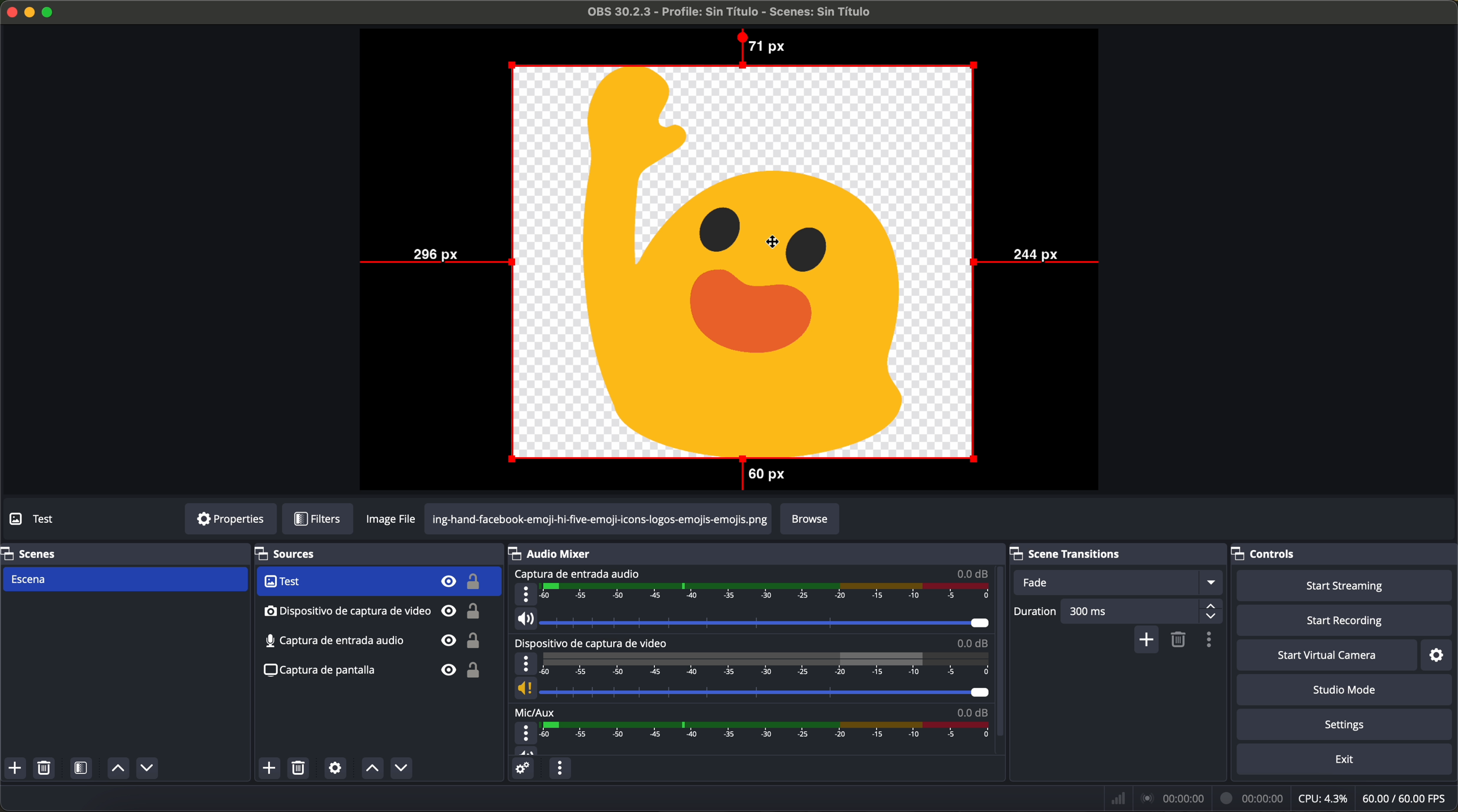 This screenshot has height=812, width=1458. Describe the element at coordinates (335, 768) in the screenshot. I see `open source properties` at that location.